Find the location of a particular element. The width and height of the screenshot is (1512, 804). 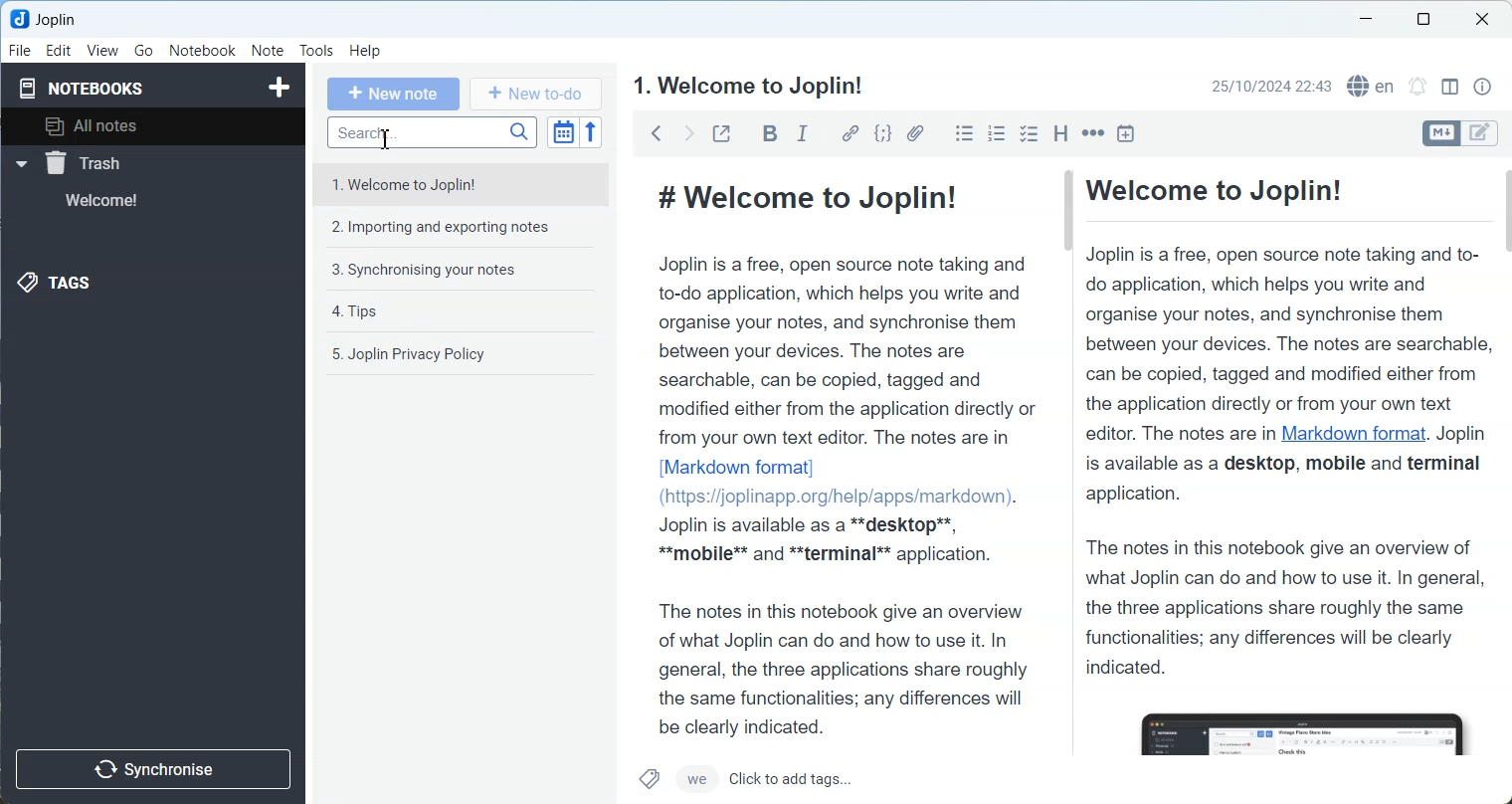

Hyperlink is located at coordinates (849, 133).